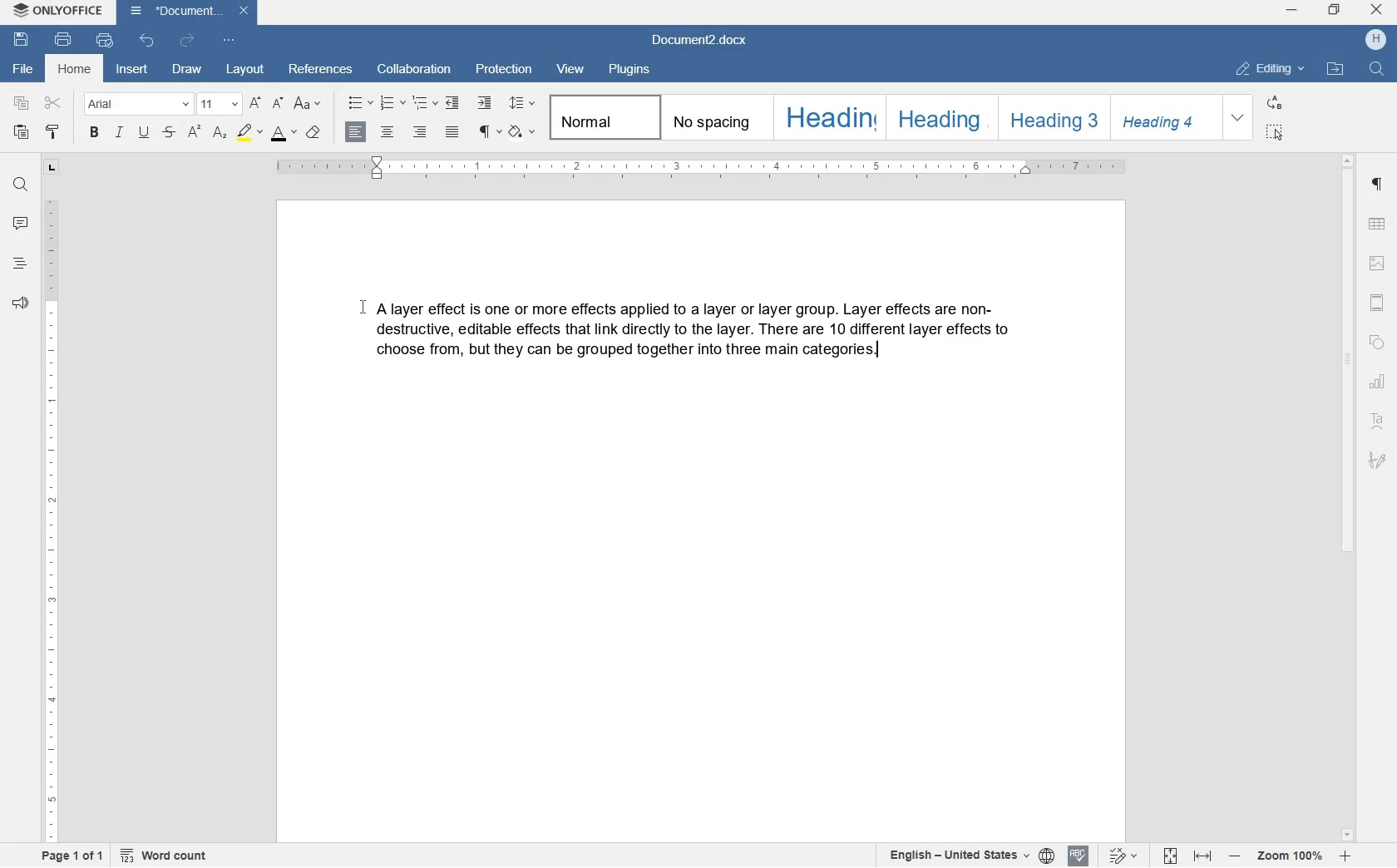 The width and height of the screenshot is (1397, 868). What do you see at coordinates (120, 133) in the screenshot?
I see `italic` at bounding box center [120, 133].